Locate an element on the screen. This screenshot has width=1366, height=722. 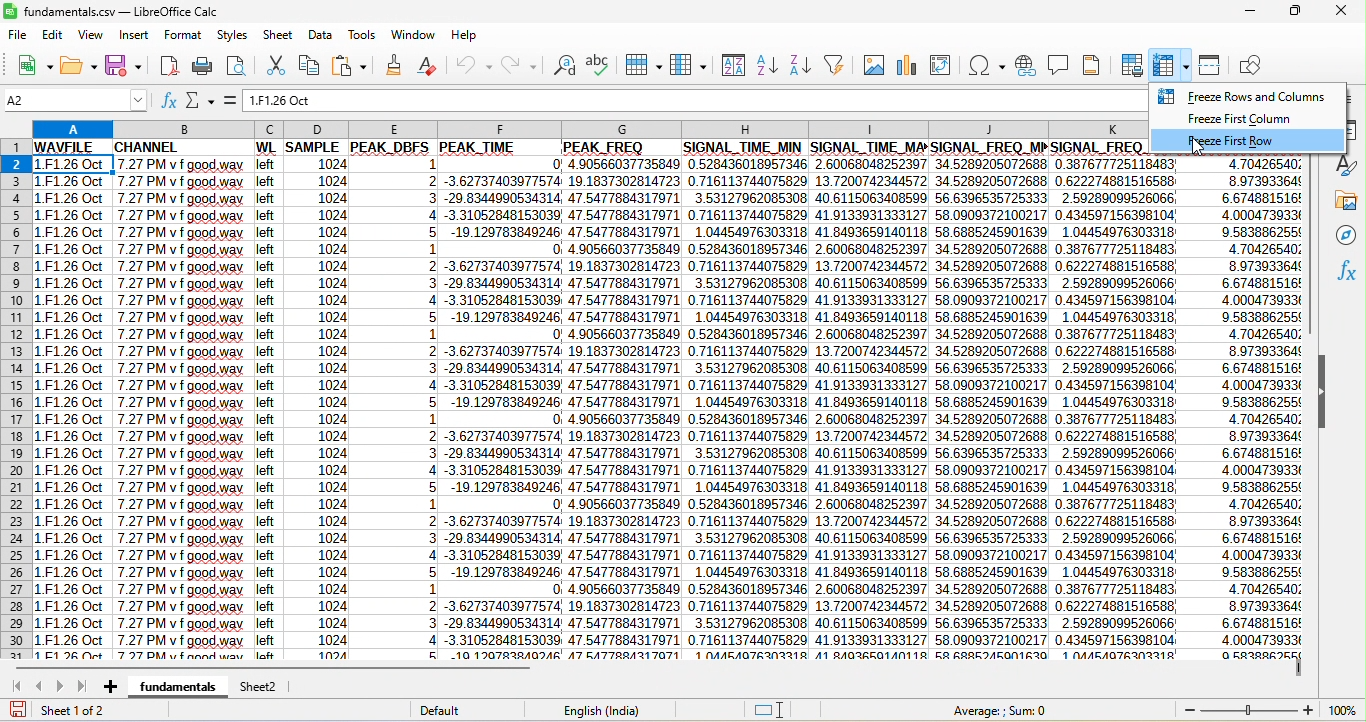
styles is located at coordinates (1343, 167).